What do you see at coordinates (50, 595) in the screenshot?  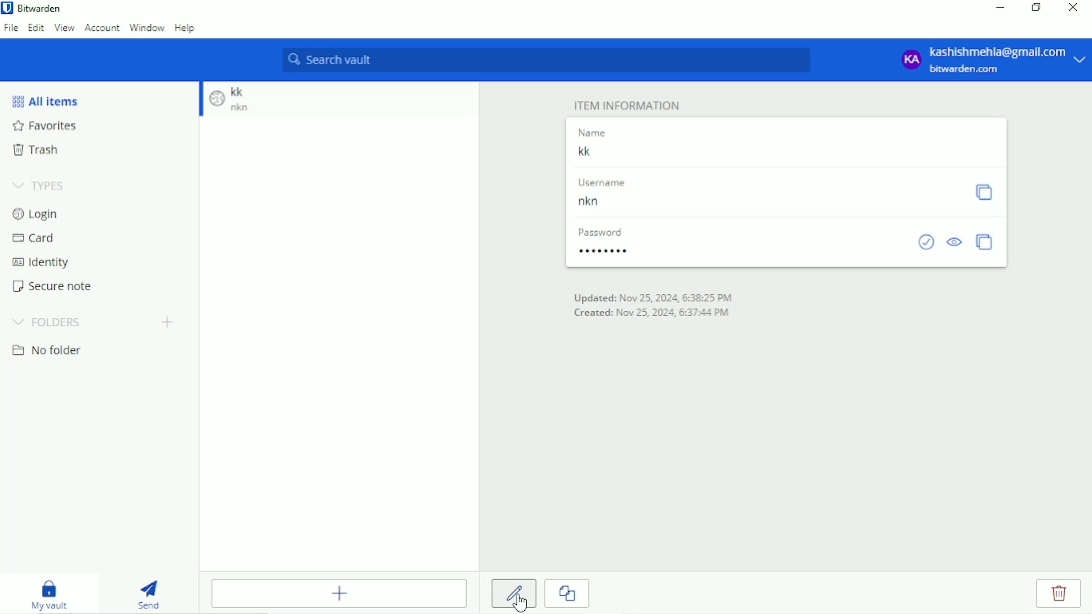 I see `My vault` at bounding box center [50, 595].